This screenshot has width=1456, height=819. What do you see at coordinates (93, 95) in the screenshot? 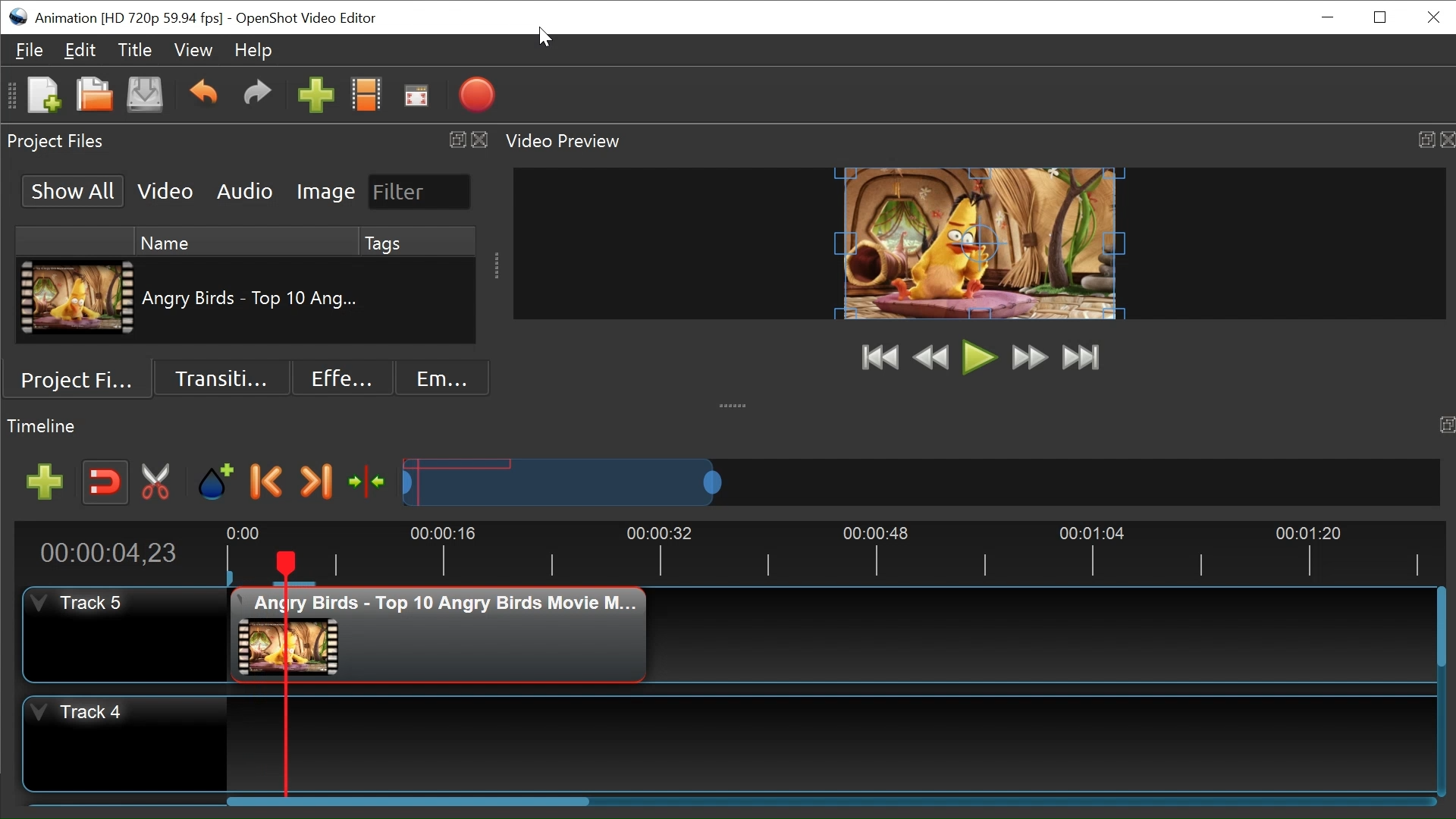
I see `Open Project` at bounding box center [93, 95].